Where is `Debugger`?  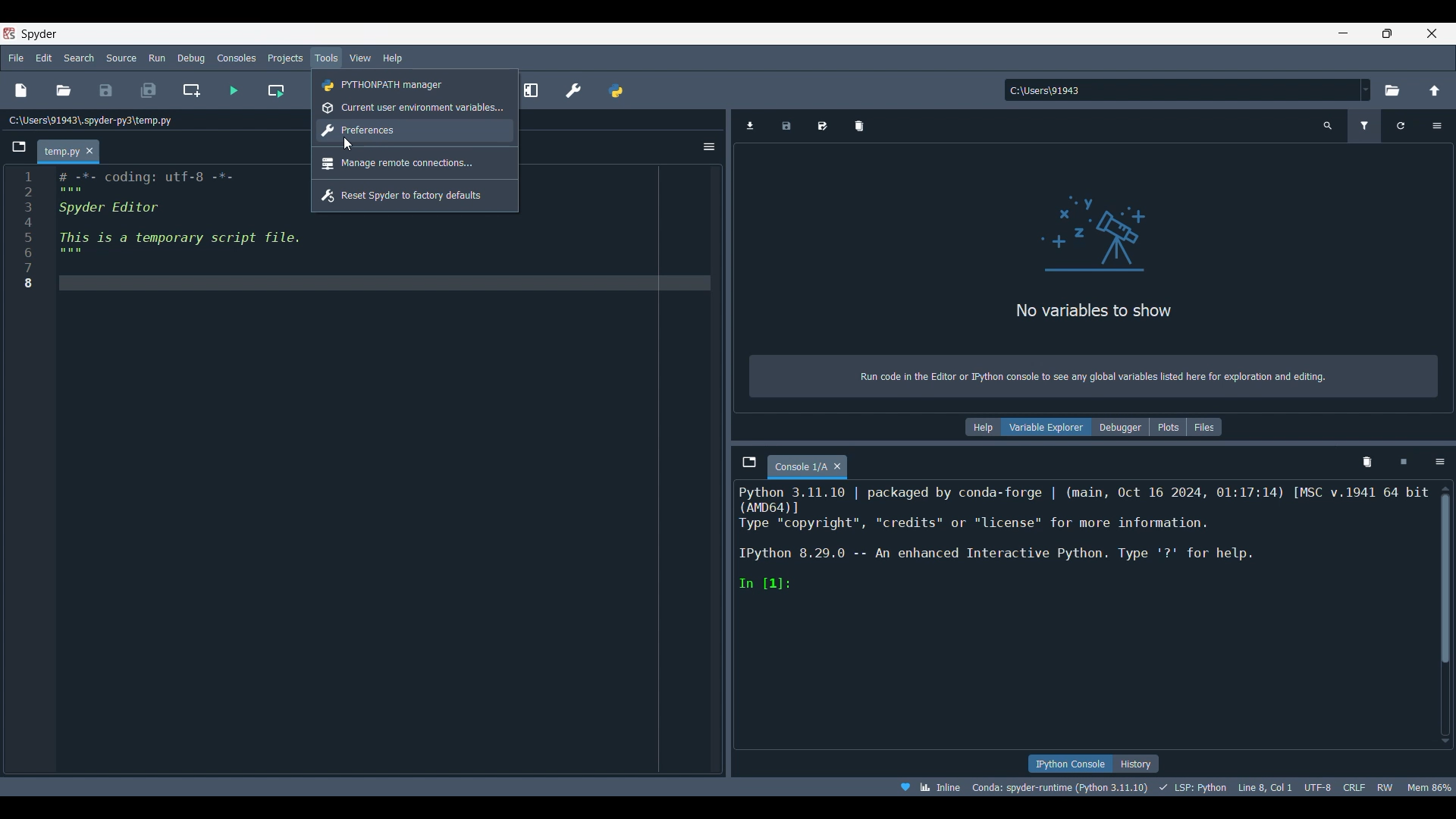
Debugger is located at coordinates (1120, 427).